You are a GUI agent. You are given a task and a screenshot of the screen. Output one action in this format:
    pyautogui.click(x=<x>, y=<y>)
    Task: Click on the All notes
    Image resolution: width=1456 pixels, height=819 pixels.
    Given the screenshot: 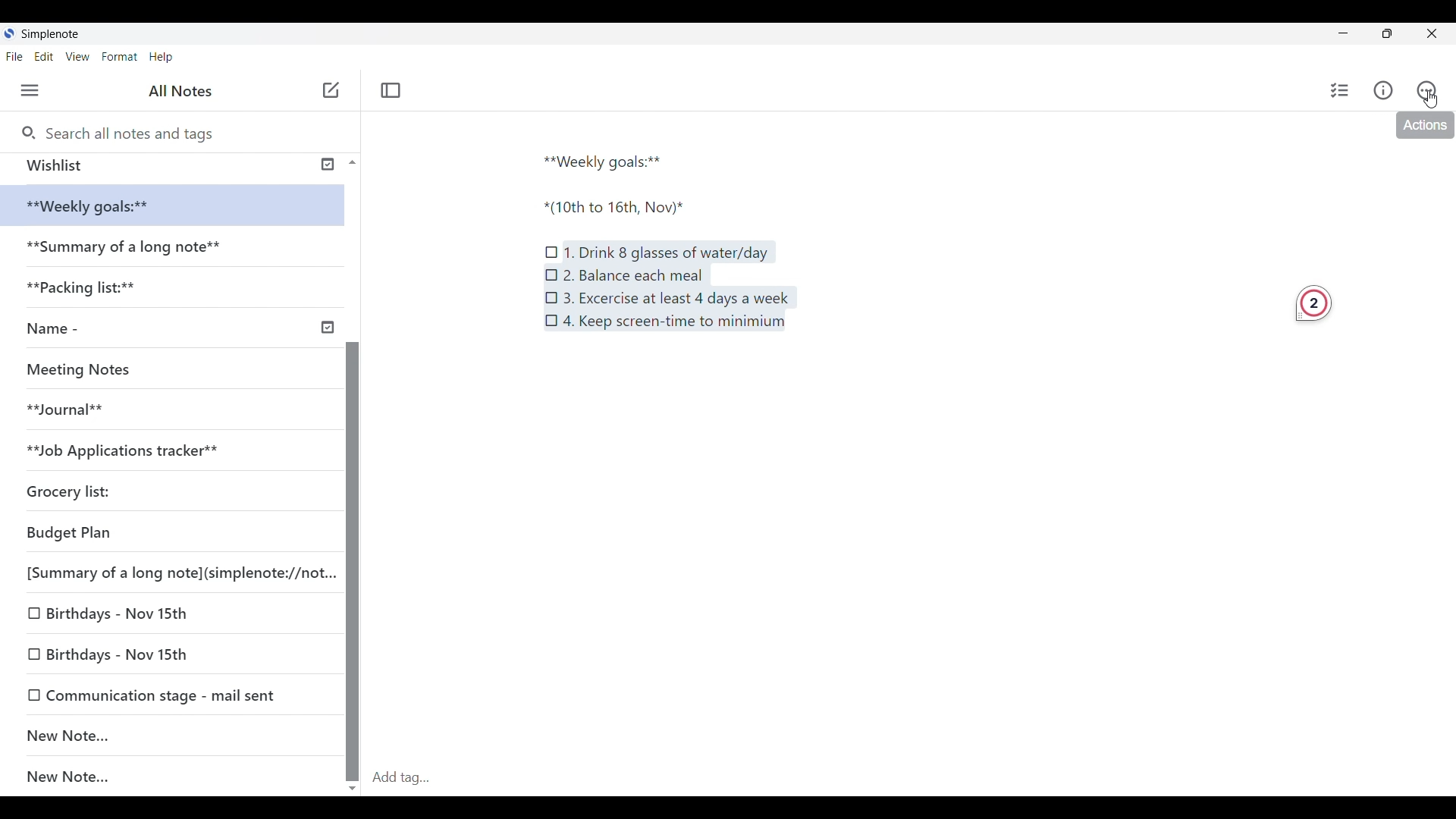 What is the action you would take?
    pyautogui.click(x=184, y=91)
    